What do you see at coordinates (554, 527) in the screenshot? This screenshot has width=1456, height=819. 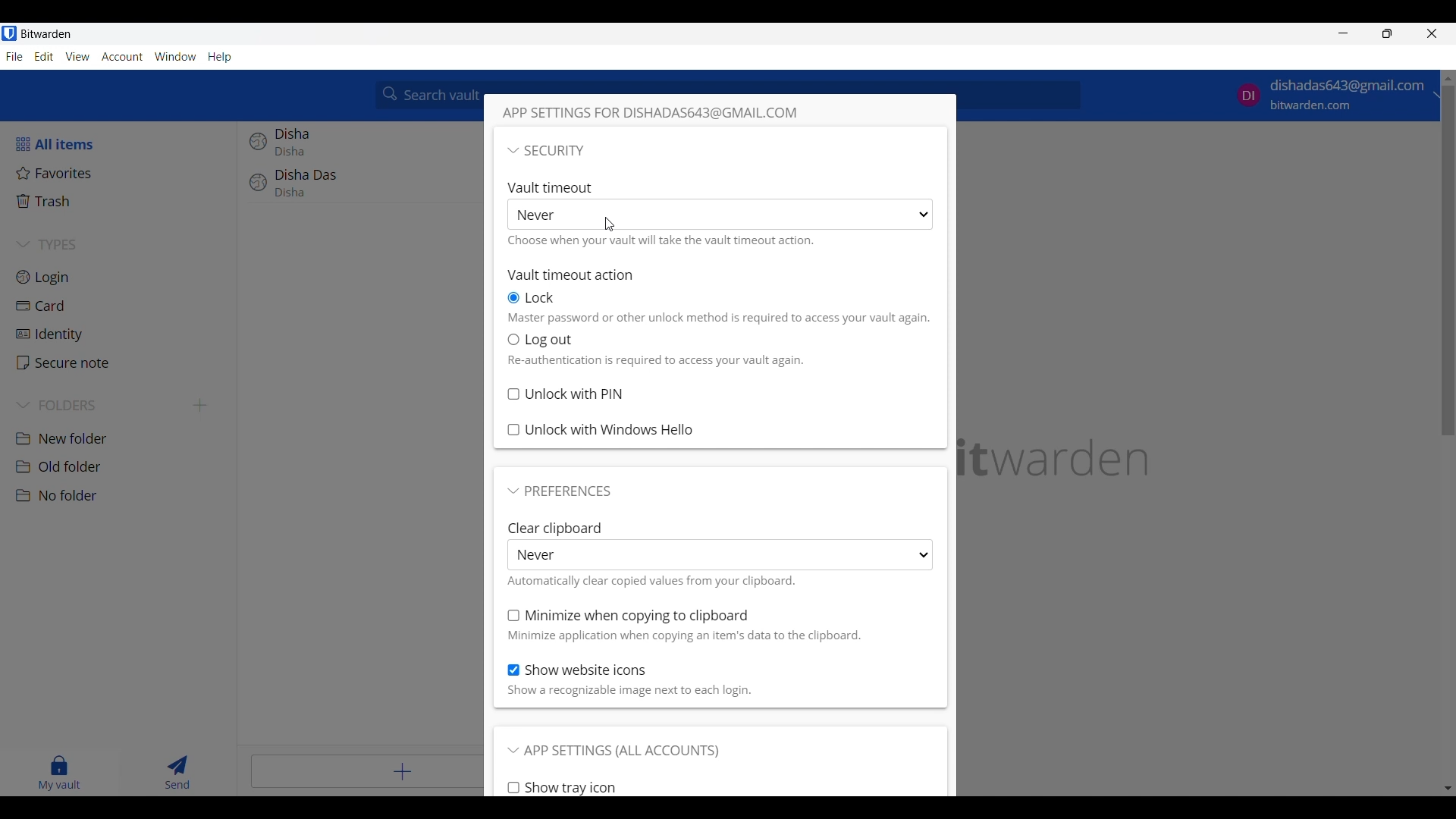 I see `clear clipboard` at bounding box center [554, 527].